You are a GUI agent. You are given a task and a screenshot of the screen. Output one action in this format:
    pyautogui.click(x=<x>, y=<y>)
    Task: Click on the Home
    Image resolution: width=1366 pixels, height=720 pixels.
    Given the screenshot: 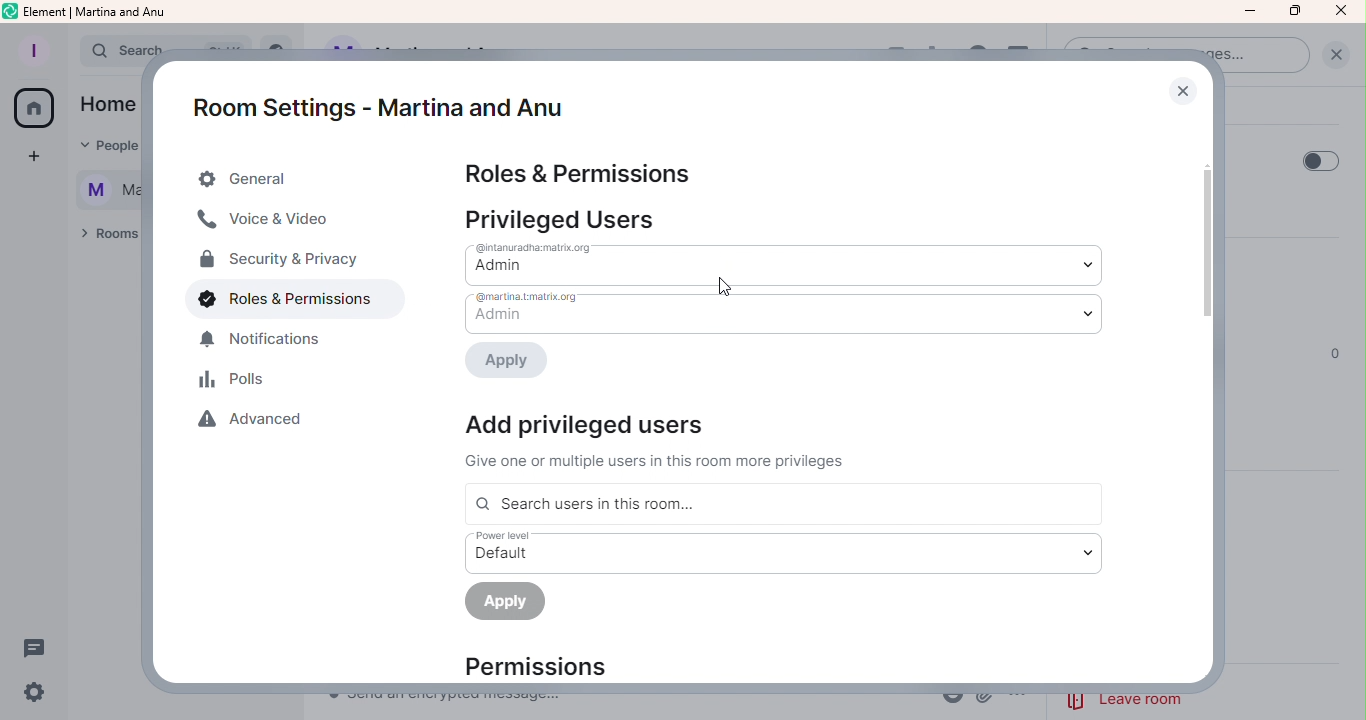 What is the action you would take?
    pyautogui.click(x=105, y=106)
    